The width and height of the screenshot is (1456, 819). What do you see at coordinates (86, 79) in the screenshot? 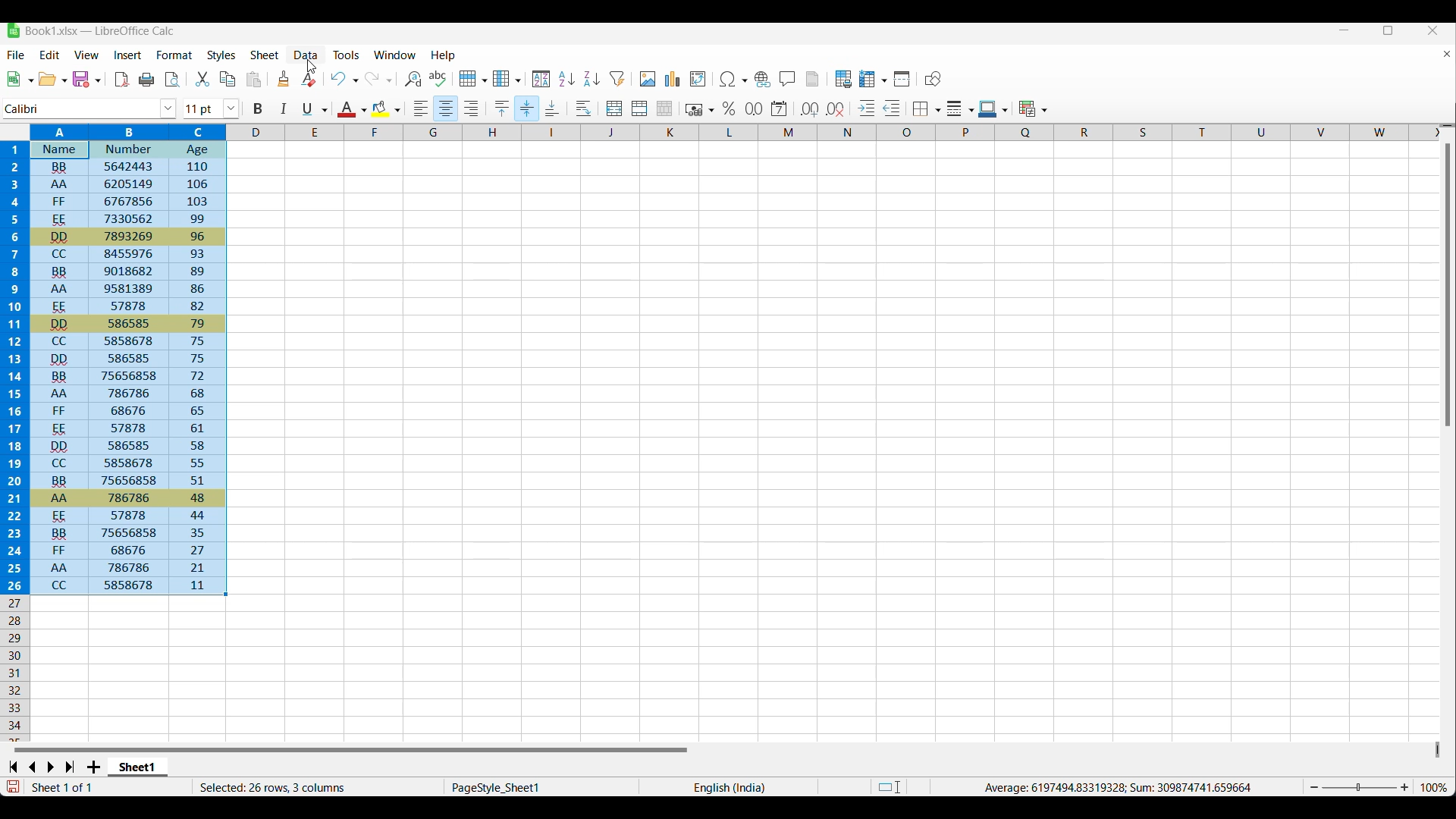
I see `Save options` at bounding box center [86, 79].